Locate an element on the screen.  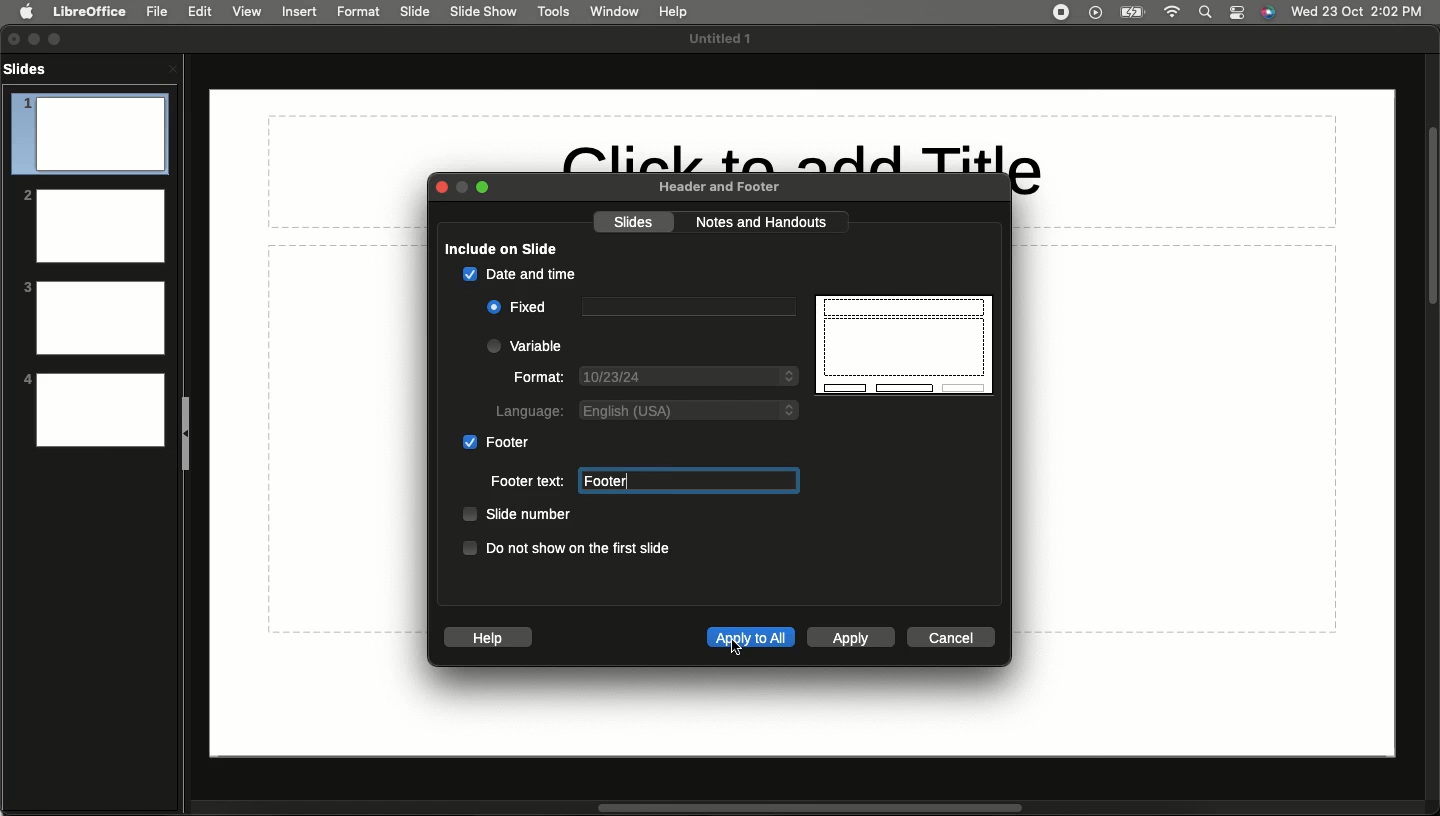
Scroll is located at coordinates (805, 808).